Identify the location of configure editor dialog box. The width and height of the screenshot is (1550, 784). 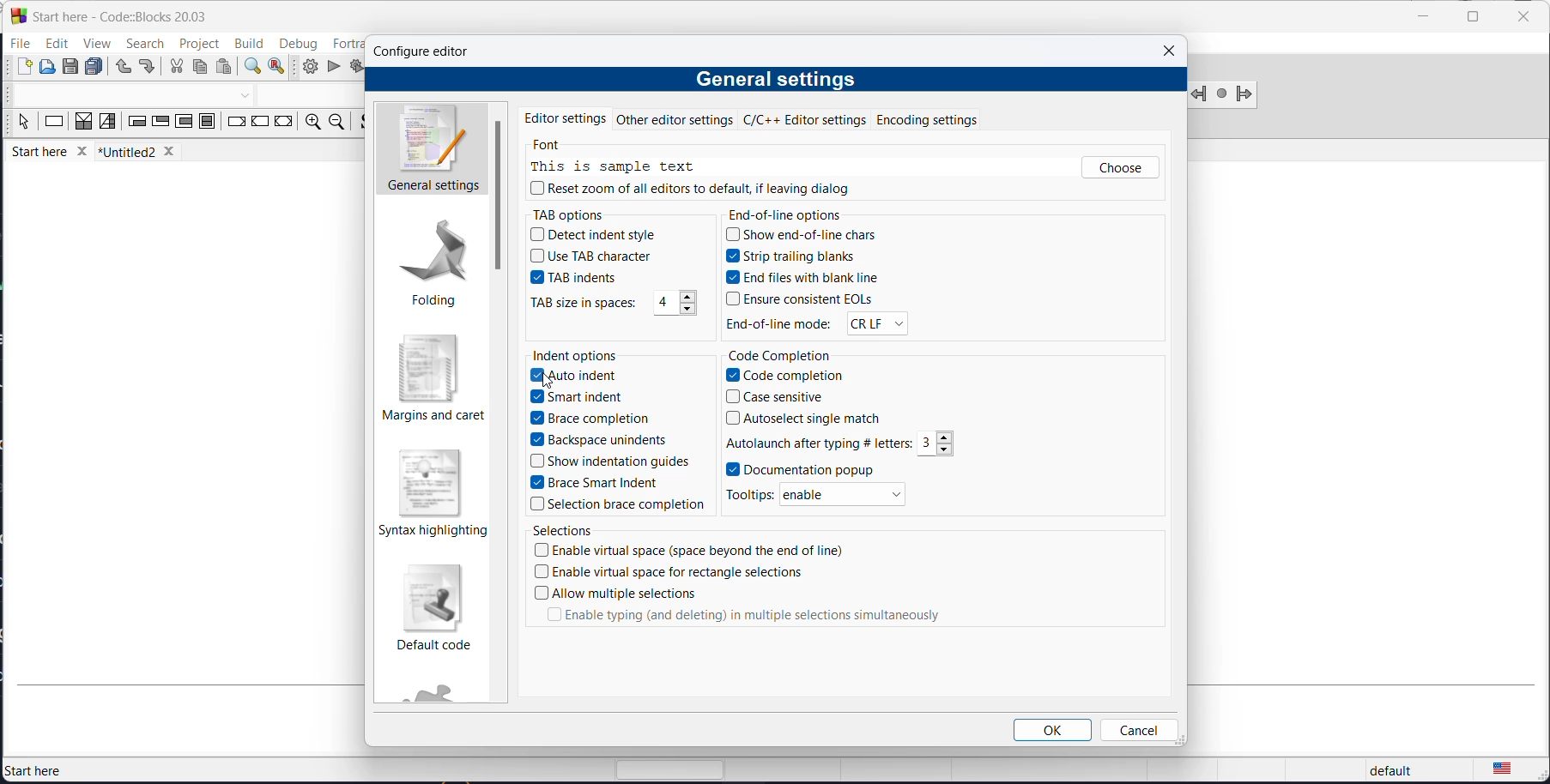
(431, 54).